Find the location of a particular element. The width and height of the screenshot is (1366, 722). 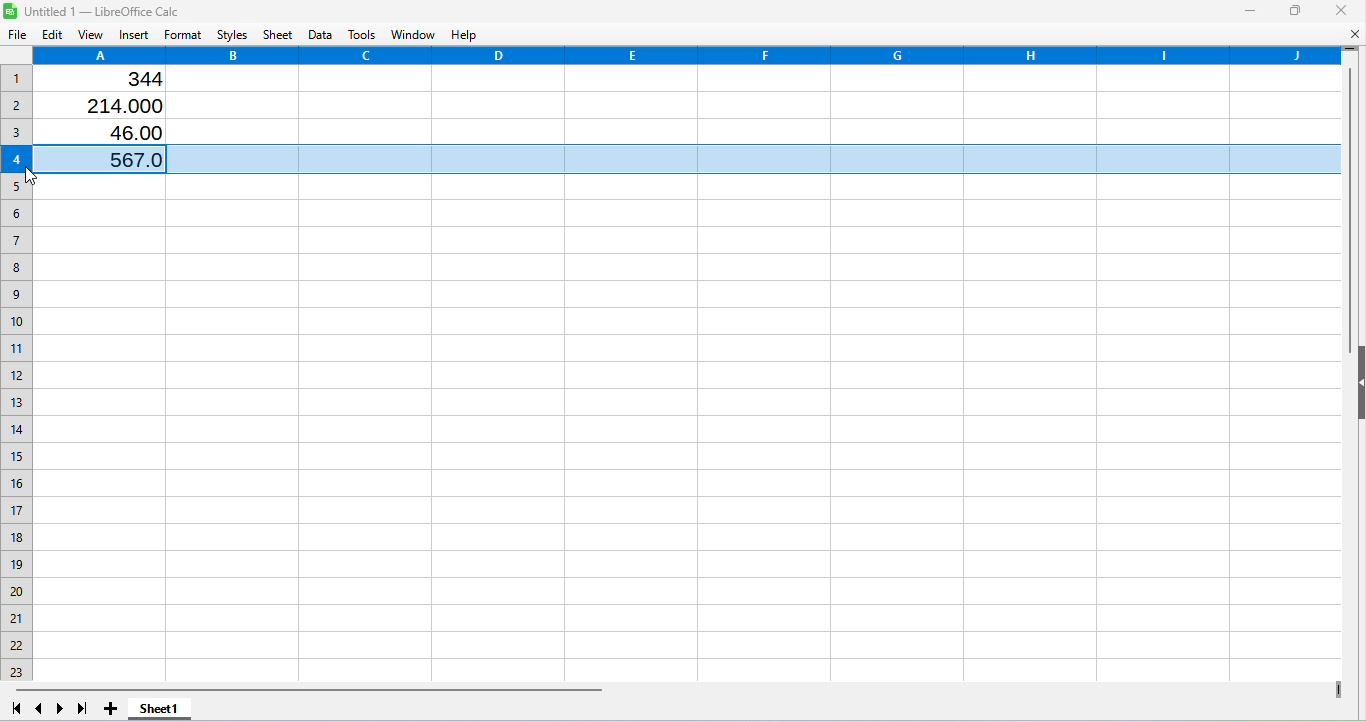

Maximize is located at coordinates (1294, 11).